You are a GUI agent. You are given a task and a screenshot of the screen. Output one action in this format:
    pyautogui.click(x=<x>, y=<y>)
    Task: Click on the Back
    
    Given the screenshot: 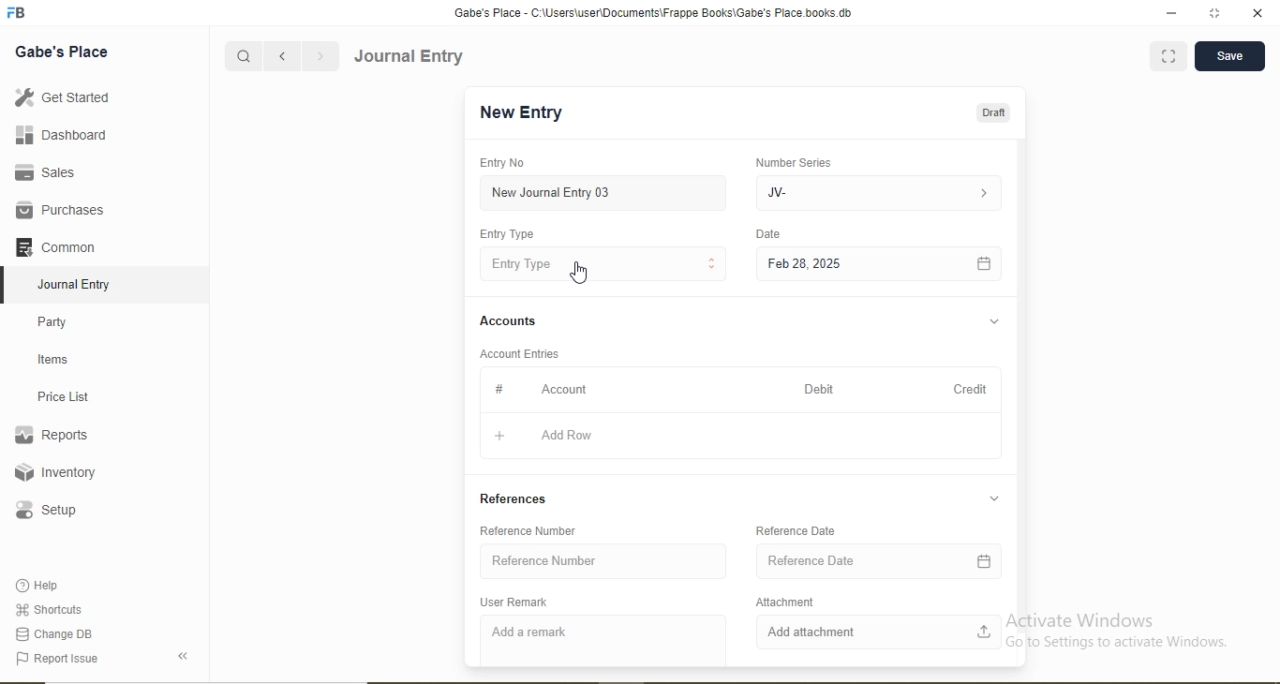 What is the action you would take?
    pyautogui.click(x=182, y=656)
    